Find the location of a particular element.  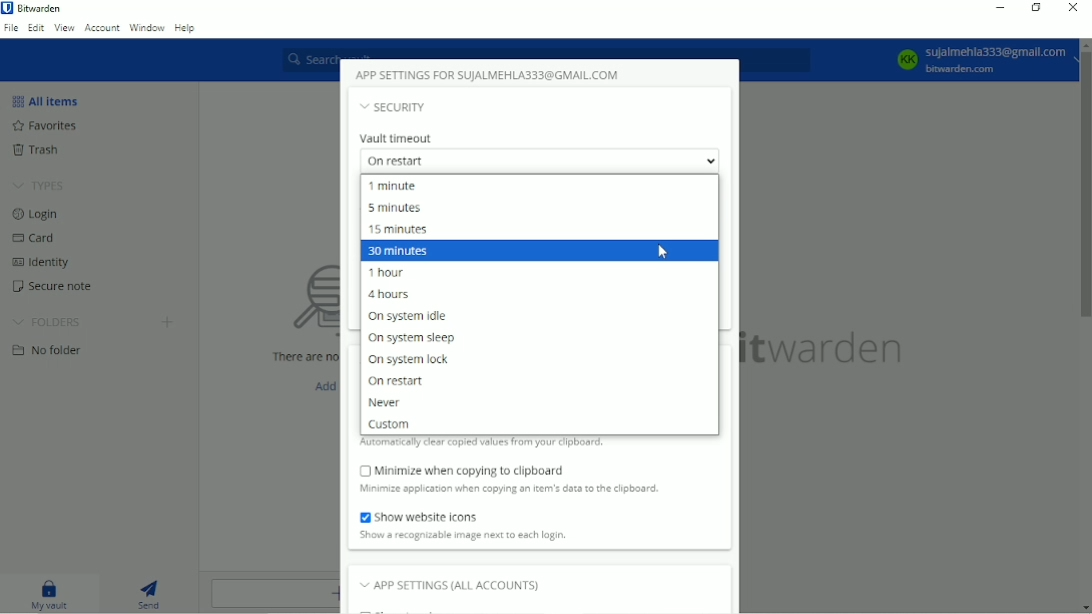

Search vault is located at coordinates (548, 50).